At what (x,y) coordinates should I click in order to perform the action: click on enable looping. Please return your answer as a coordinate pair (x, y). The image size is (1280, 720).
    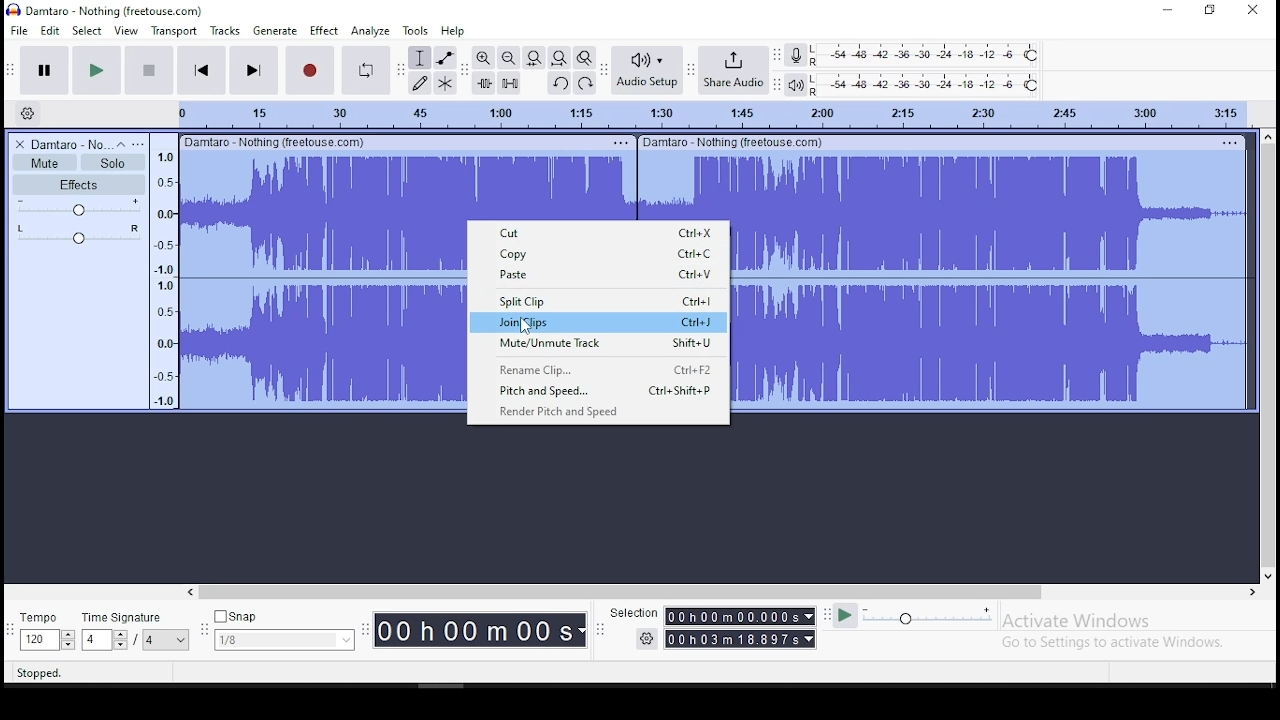
    Looking at the image, I should click on (364, 71).